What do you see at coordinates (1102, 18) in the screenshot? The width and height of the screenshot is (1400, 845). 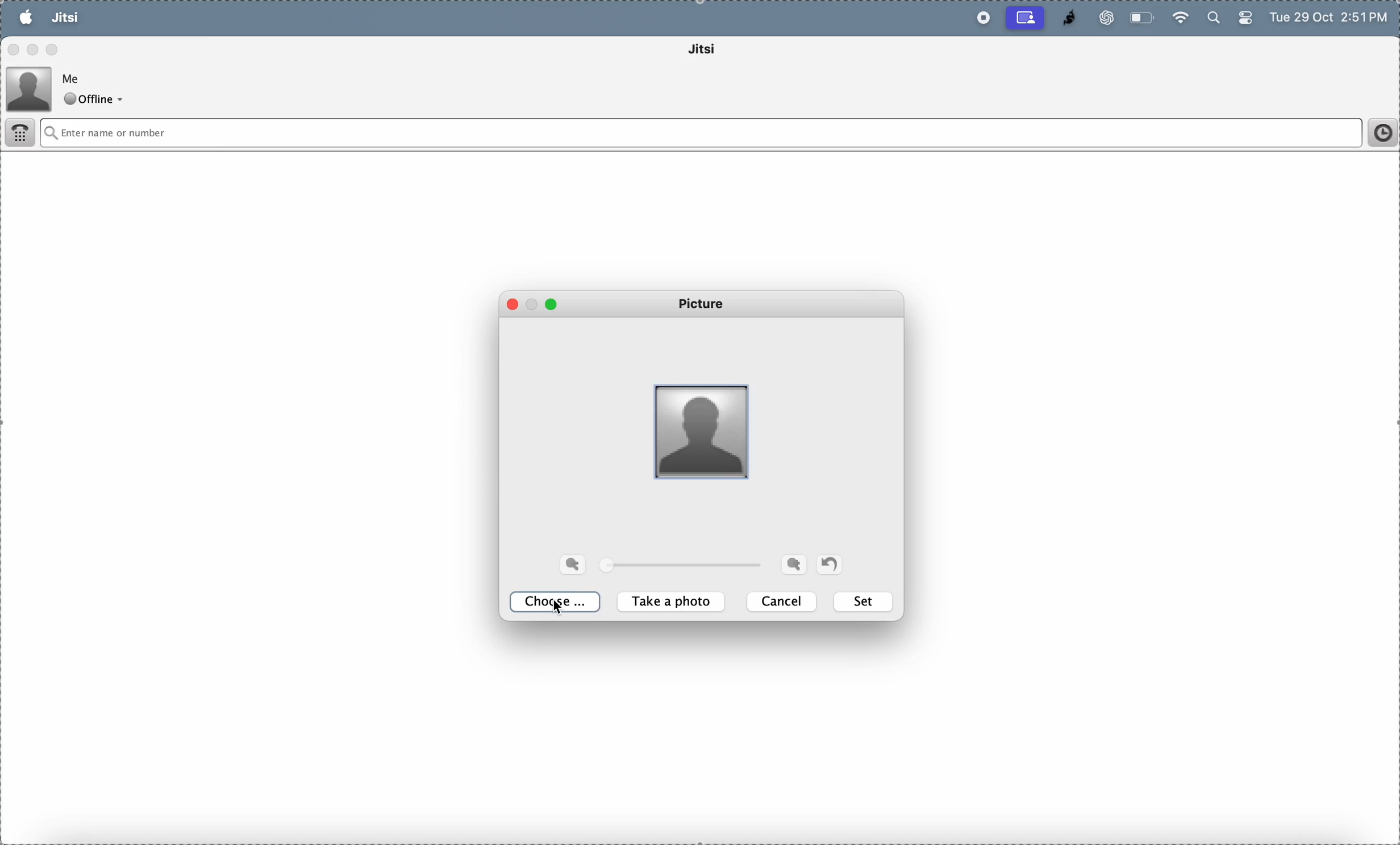 I see `chatgpt` at bounding box center [1102, 18].